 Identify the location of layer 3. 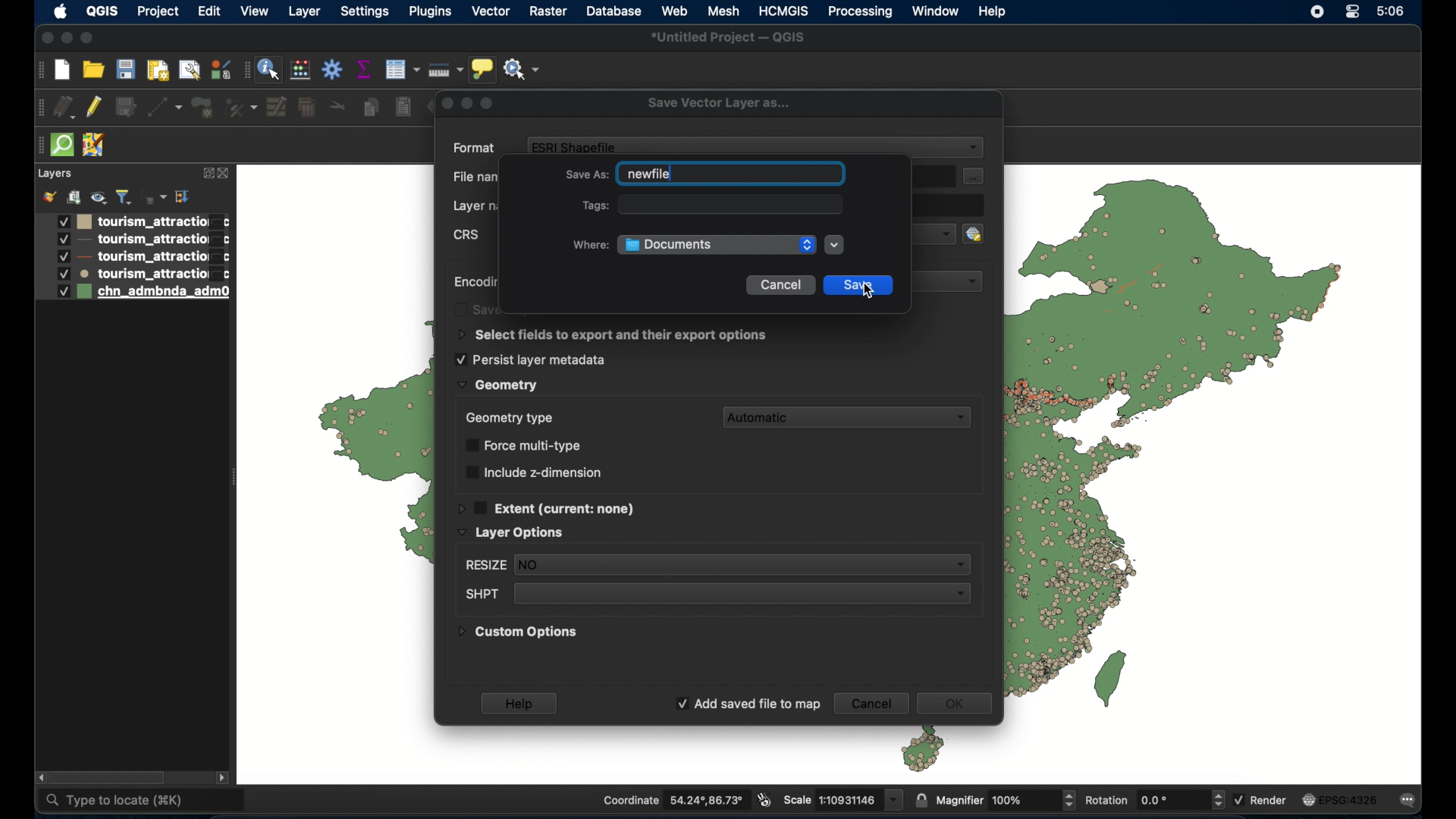
(131, 257).